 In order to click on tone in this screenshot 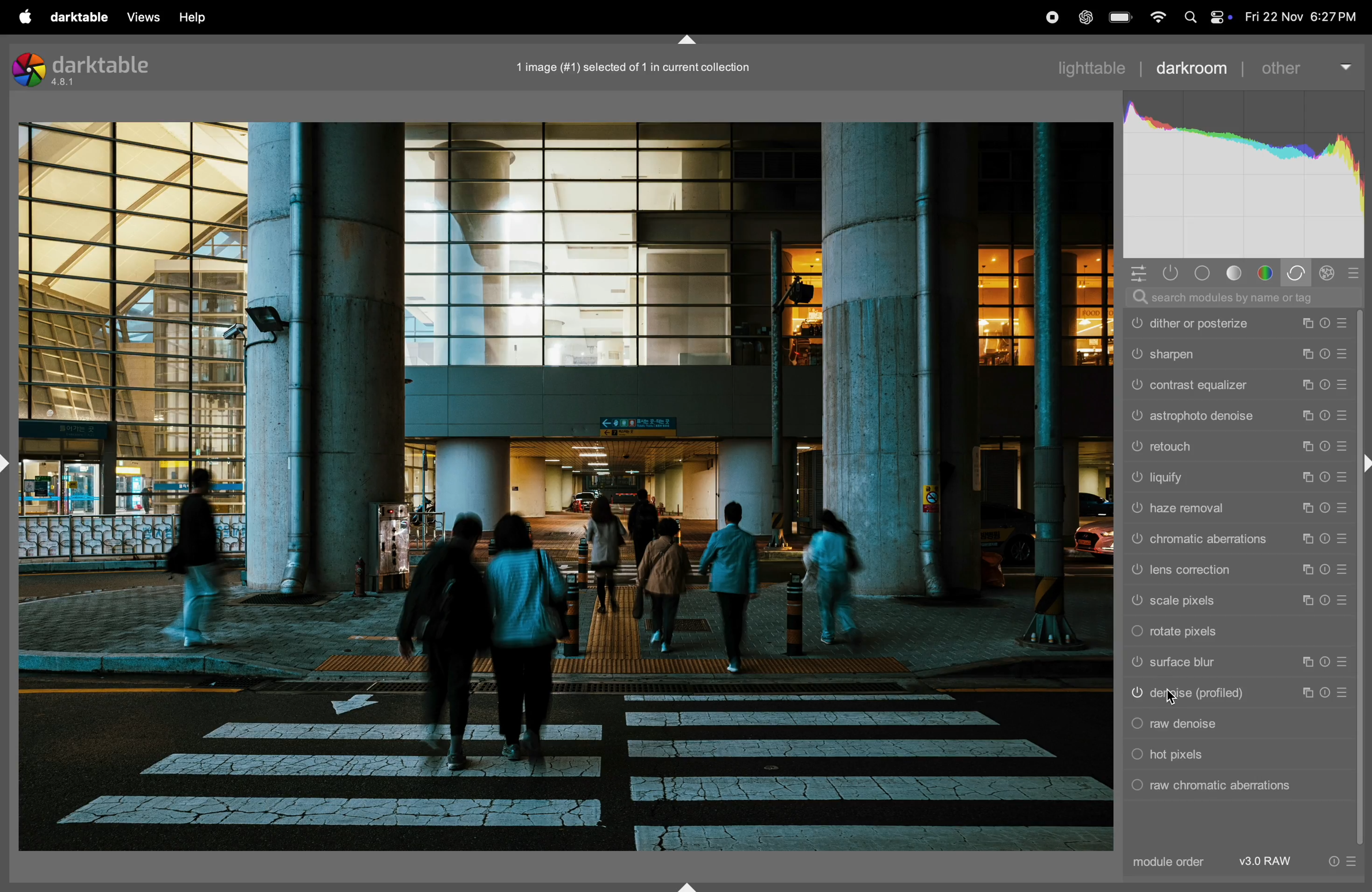, I will do `click(1236, 273)`.